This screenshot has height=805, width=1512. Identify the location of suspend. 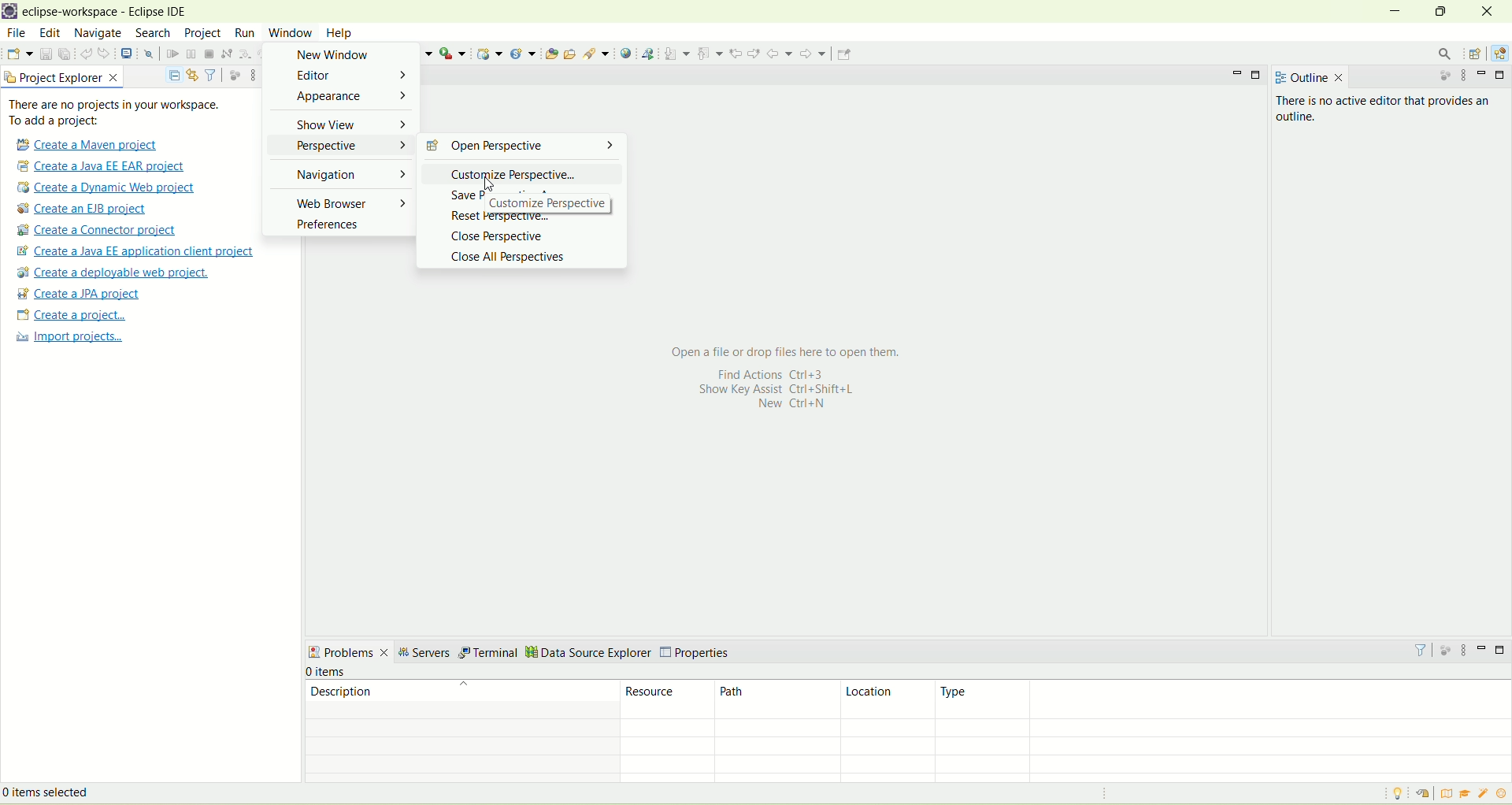
(190, 55).